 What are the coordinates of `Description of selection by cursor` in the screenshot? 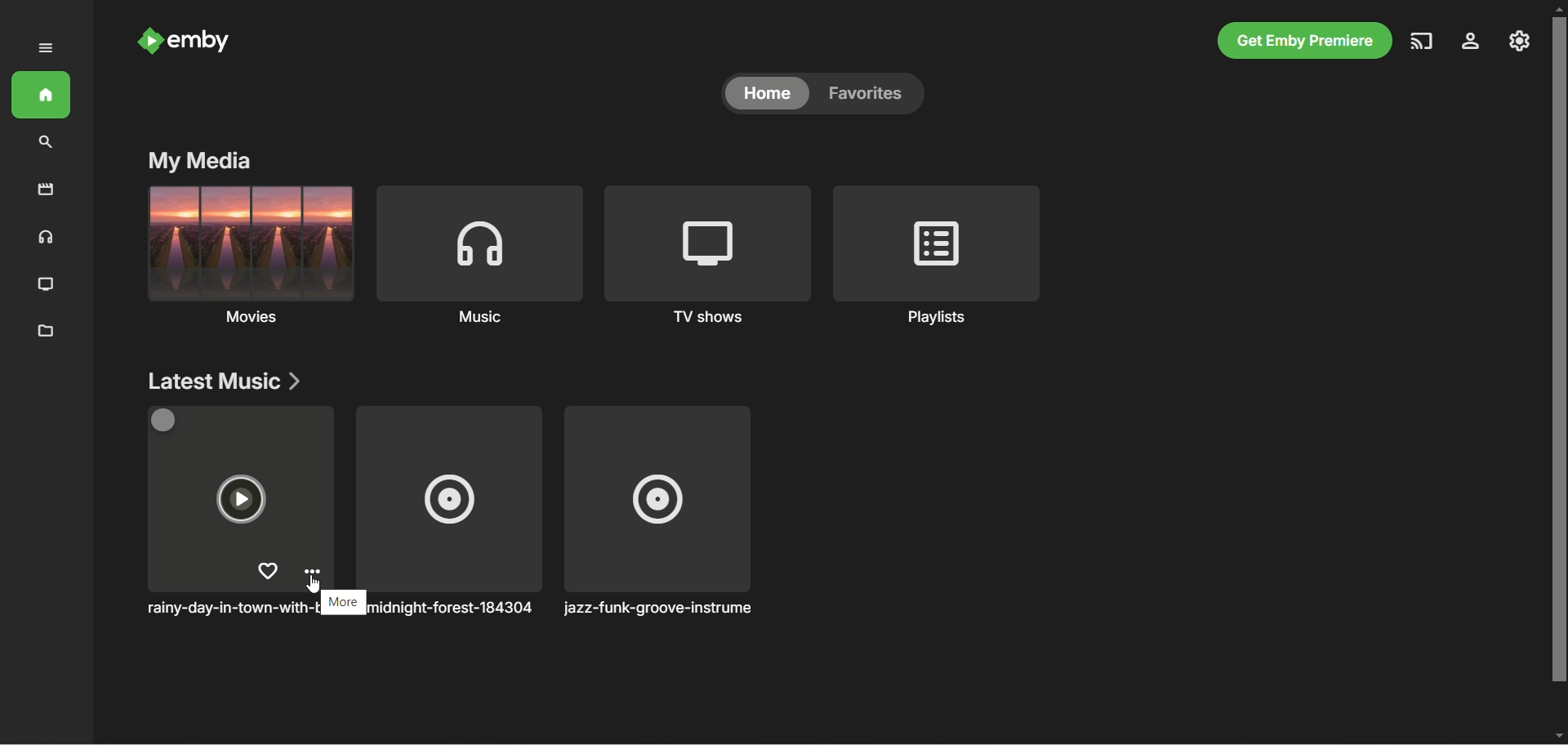 It's located at (334, 602).